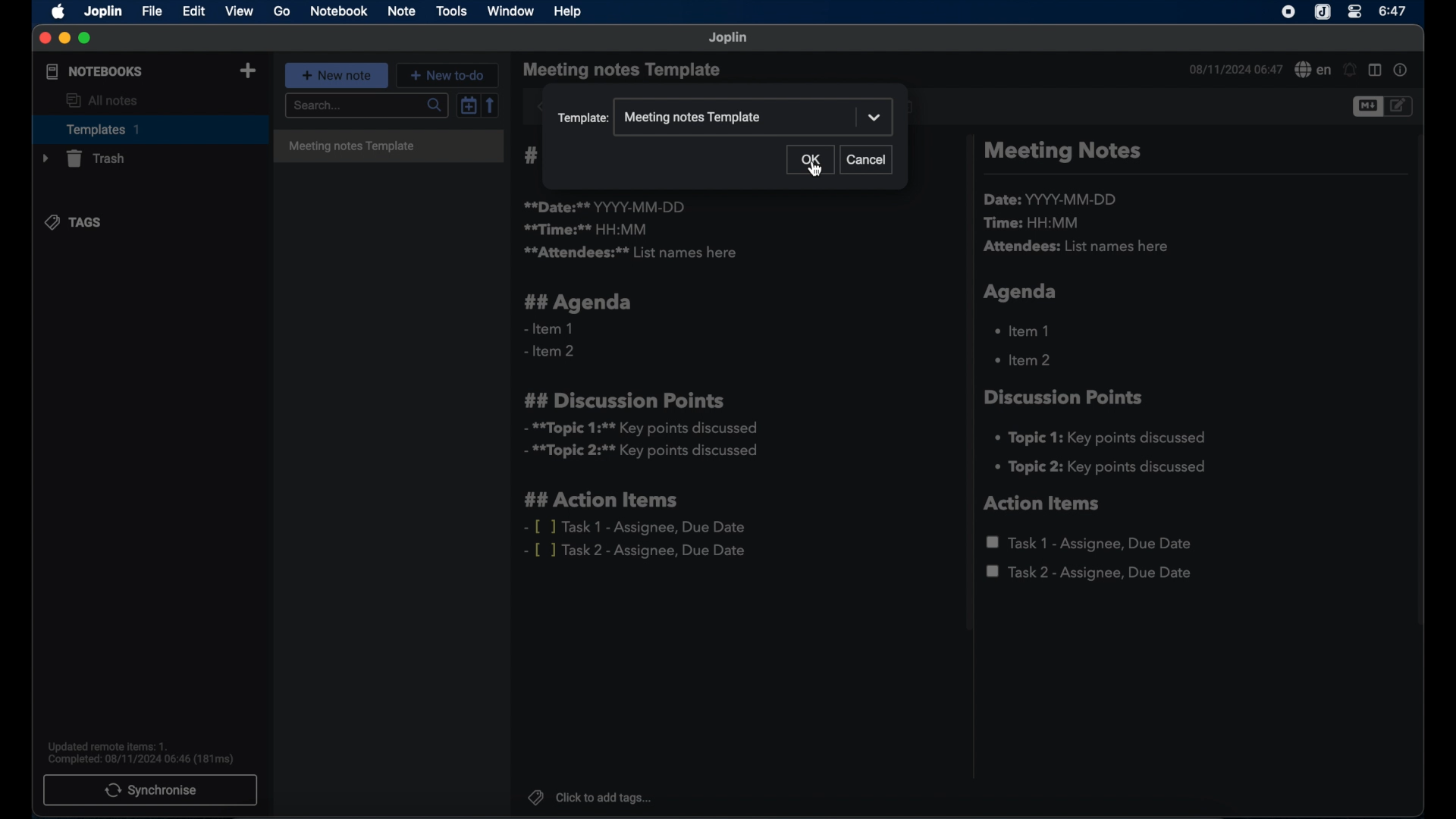 The height and width of the screenshot is (819, 1456). What do you see at coordinates (451, 11) in the screenshot?
I see `tools` at bounding box center [451, 11].